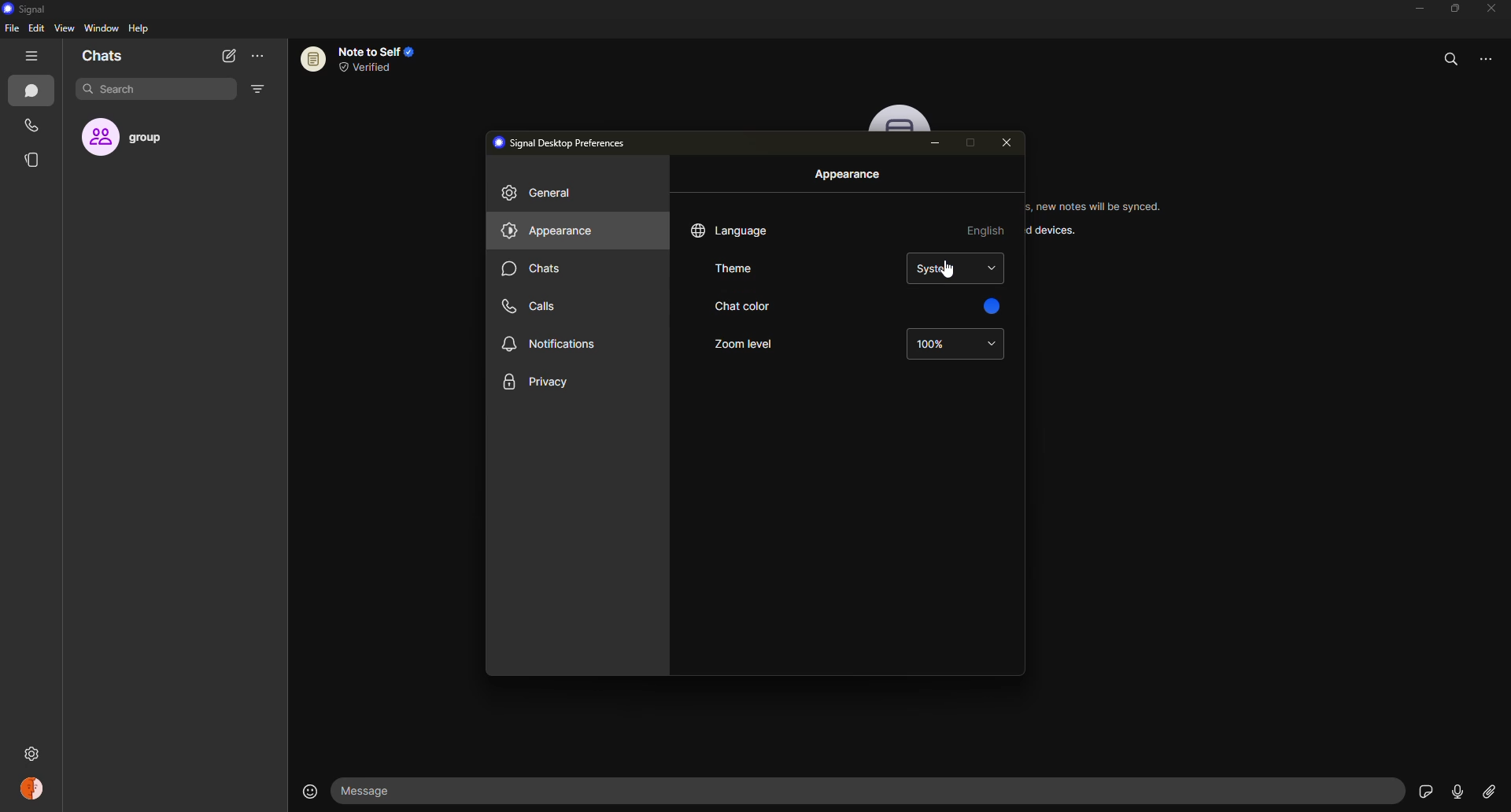  What do you see at coordinates (1412, 10) in the screenshot?
I see `minimize` at bounding box center [1412, 10].